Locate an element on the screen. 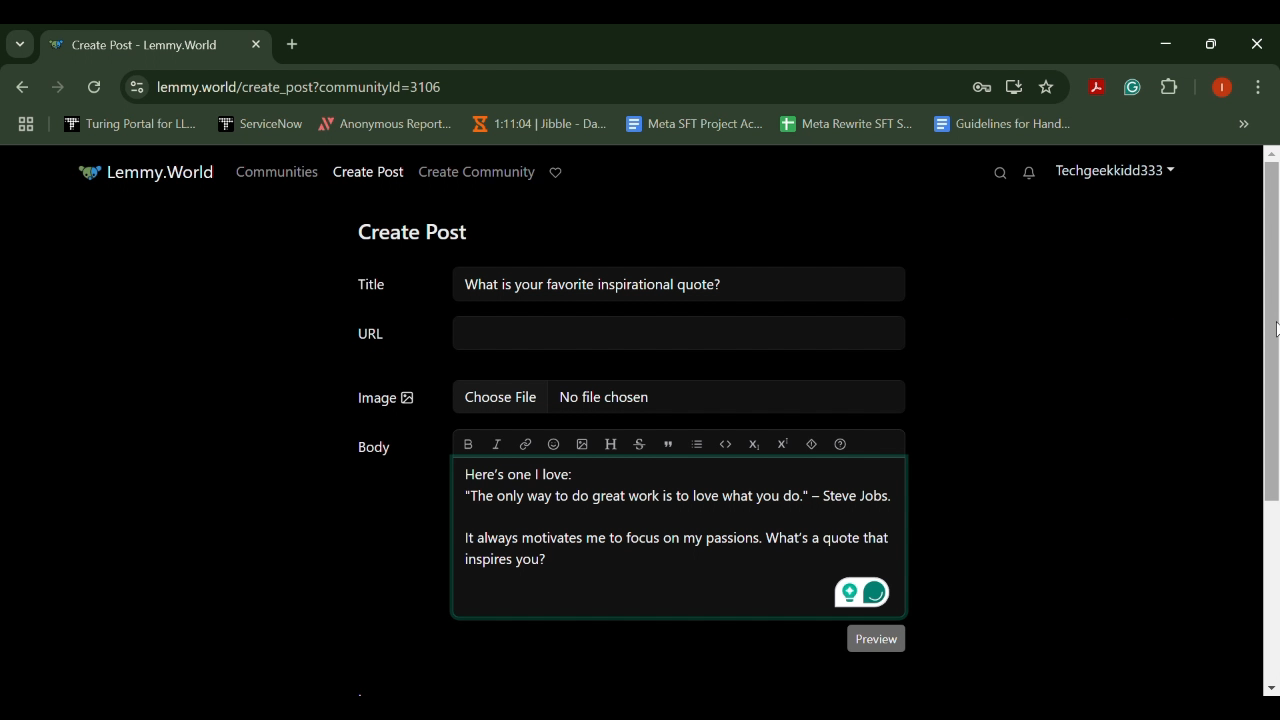 The width and height of the screenshot is (1280, 720). Options is located at coordinates (1258, 89).